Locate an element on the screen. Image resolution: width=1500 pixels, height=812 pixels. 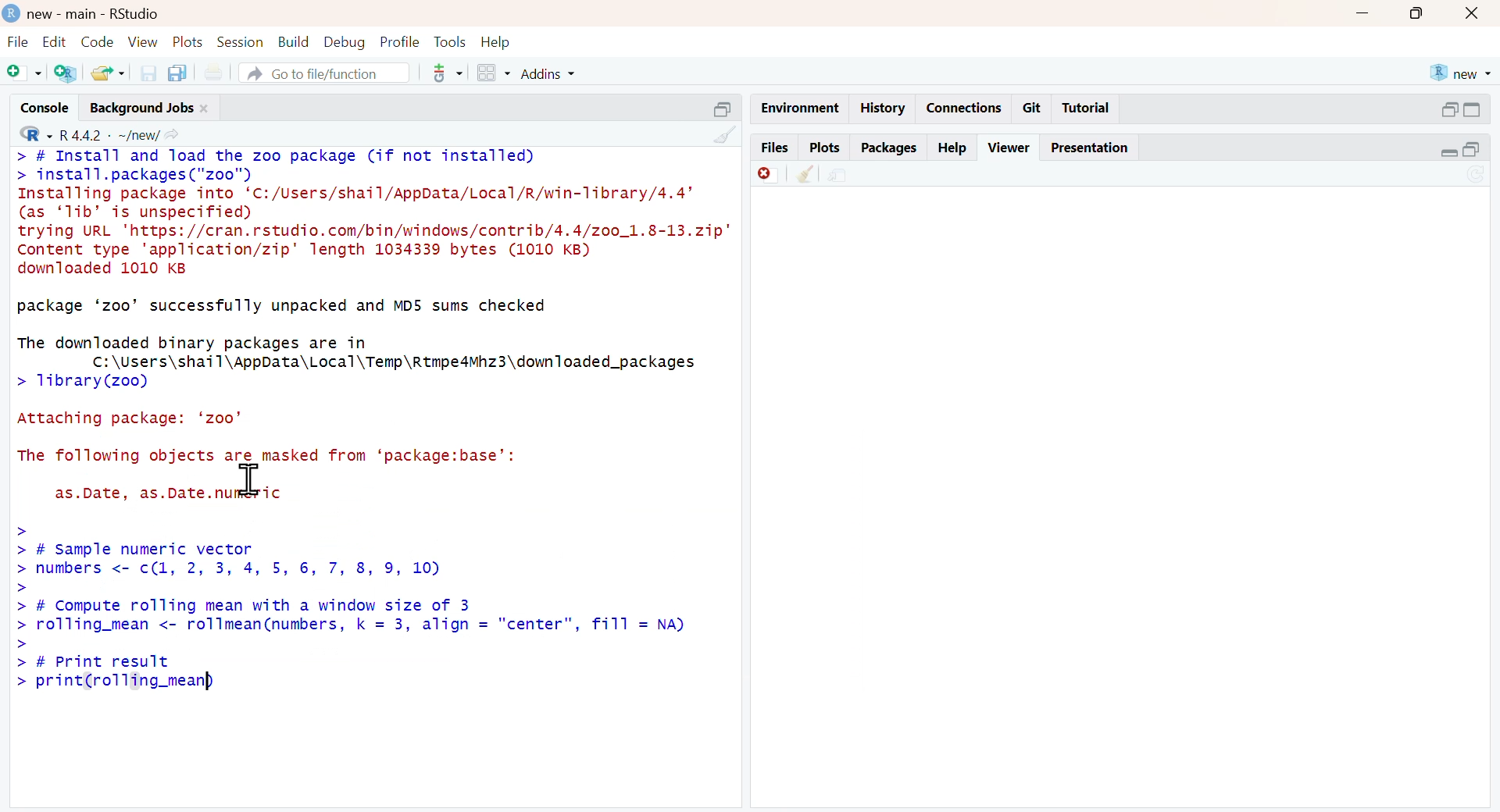
clean is located at coordinates (726, 134).